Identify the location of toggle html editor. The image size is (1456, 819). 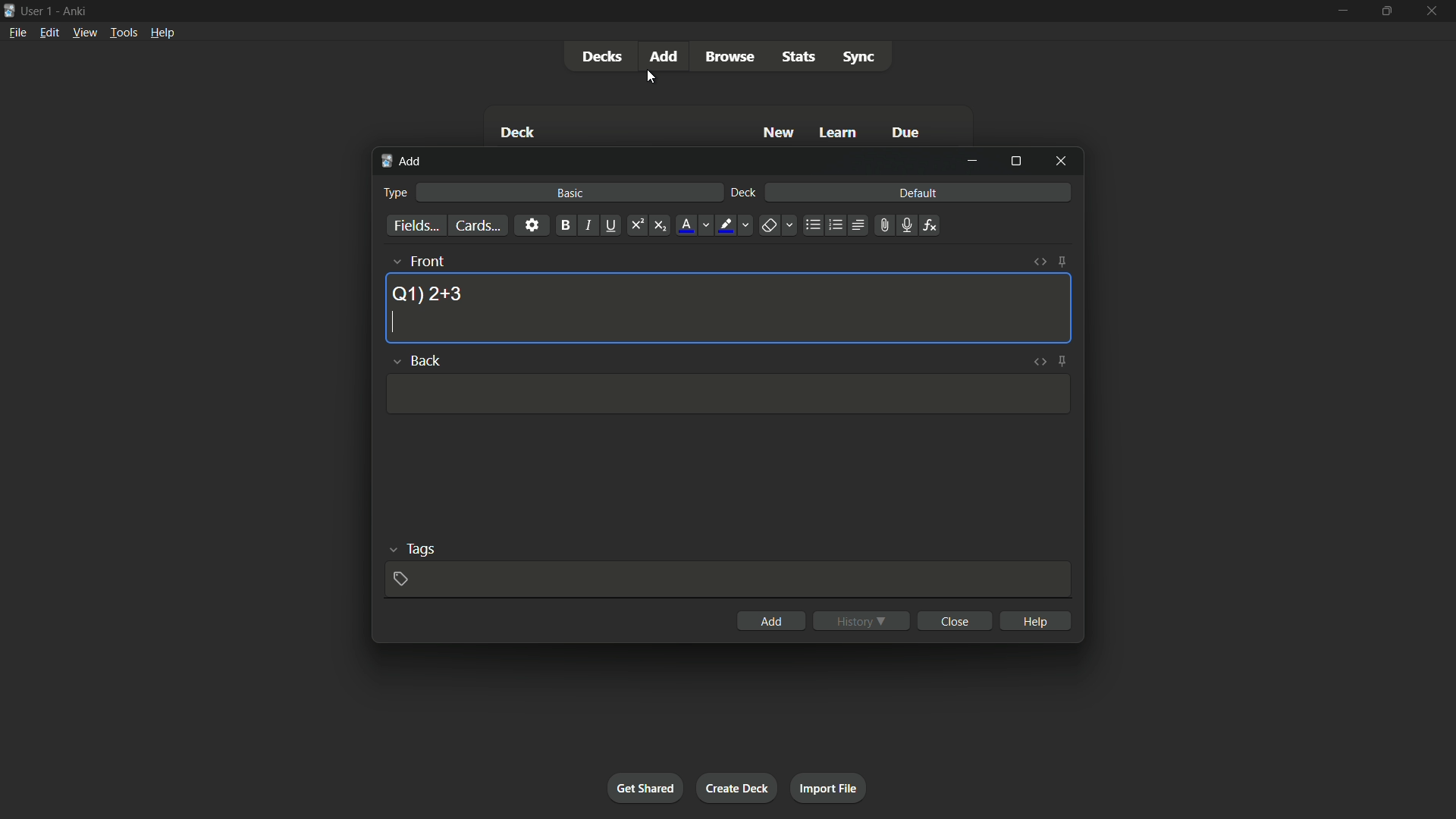
(1040, 362).